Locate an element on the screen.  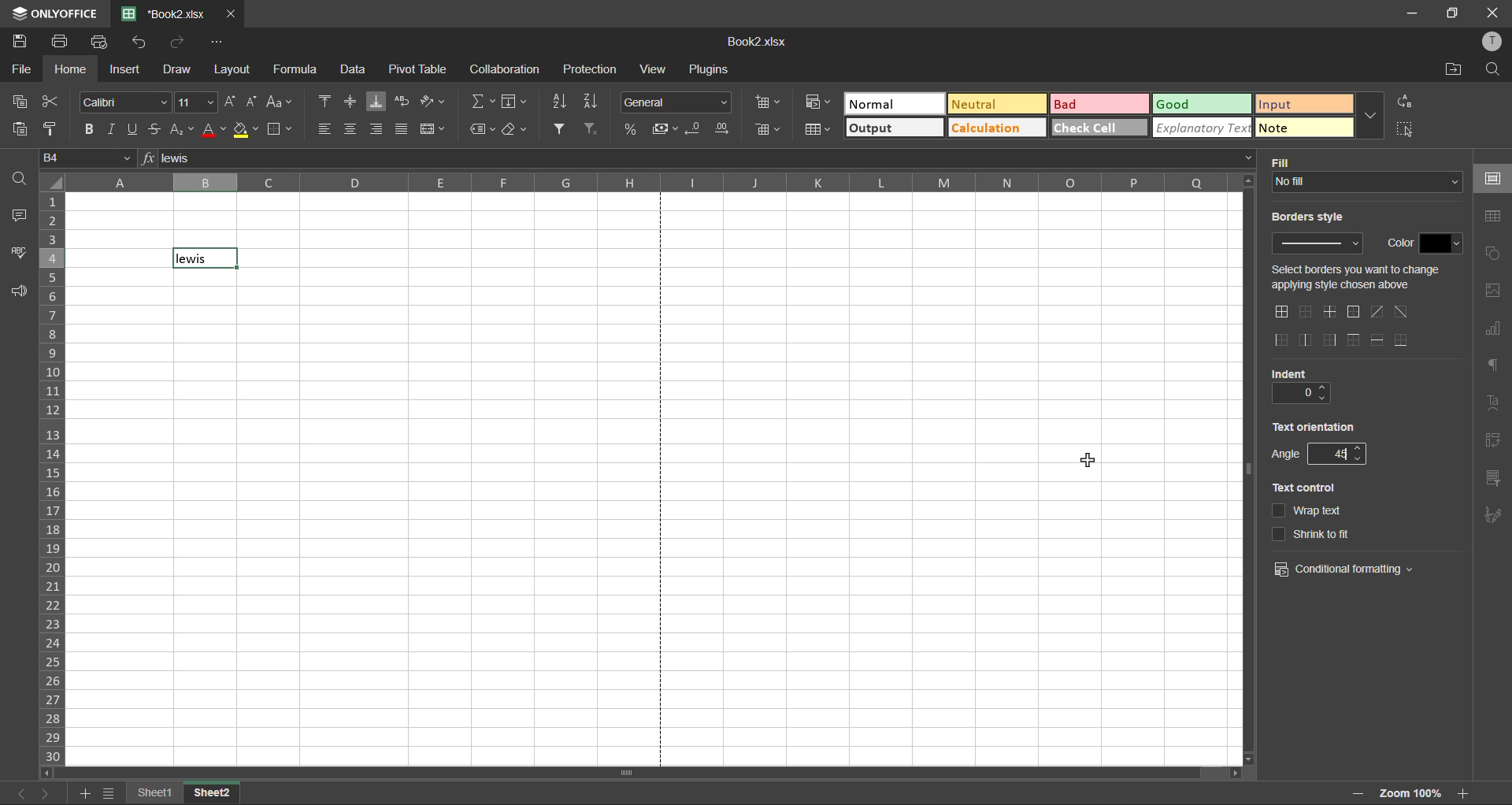
quick print is located at coordinates (98, 41).